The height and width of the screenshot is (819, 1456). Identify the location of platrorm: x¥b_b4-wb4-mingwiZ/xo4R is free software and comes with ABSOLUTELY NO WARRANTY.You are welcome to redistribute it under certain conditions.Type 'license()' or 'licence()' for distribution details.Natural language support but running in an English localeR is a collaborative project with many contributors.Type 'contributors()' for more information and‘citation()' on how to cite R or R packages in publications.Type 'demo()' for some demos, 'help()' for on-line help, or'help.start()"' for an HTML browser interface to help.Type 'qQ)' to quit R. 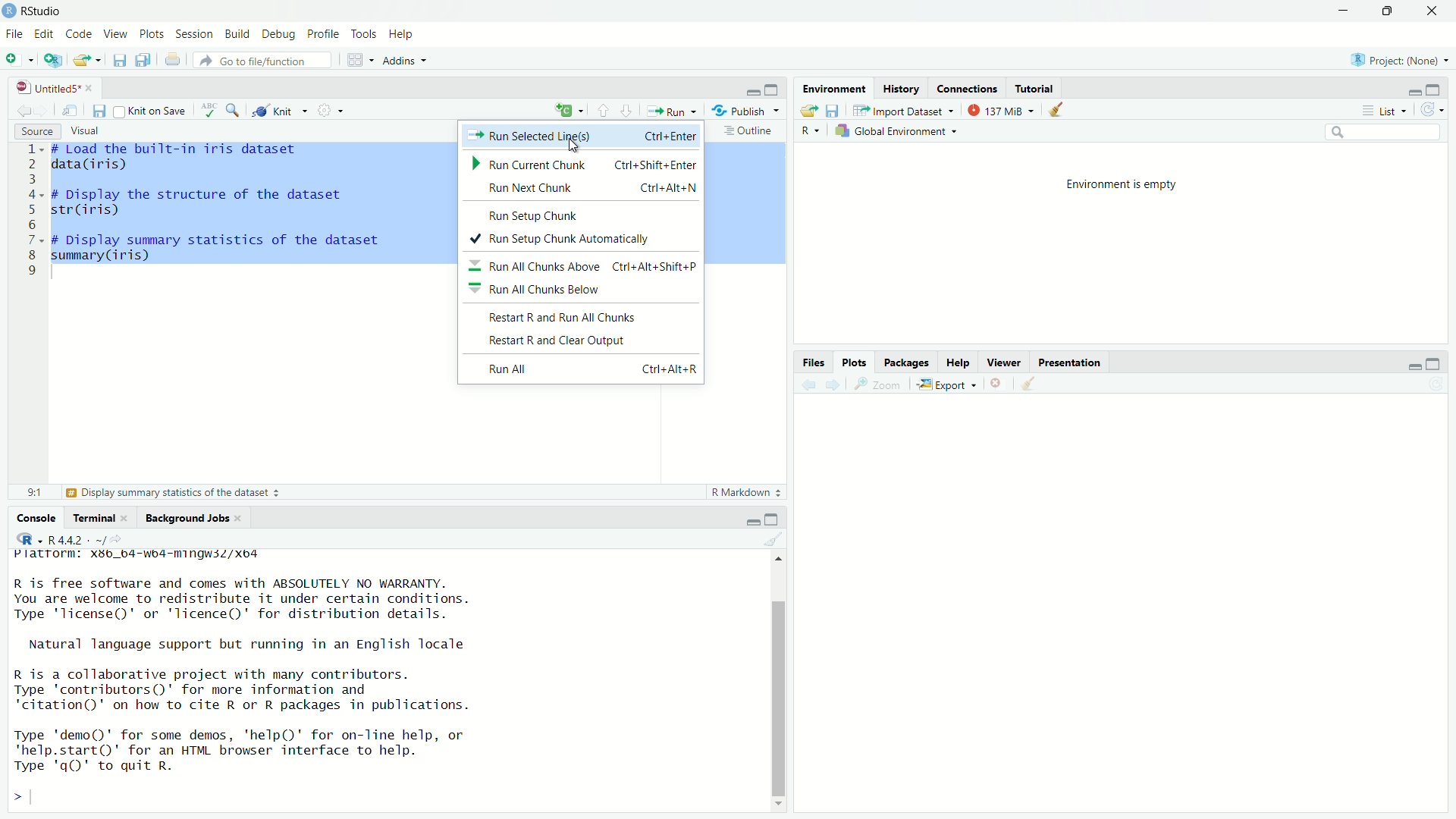
(383, 680).